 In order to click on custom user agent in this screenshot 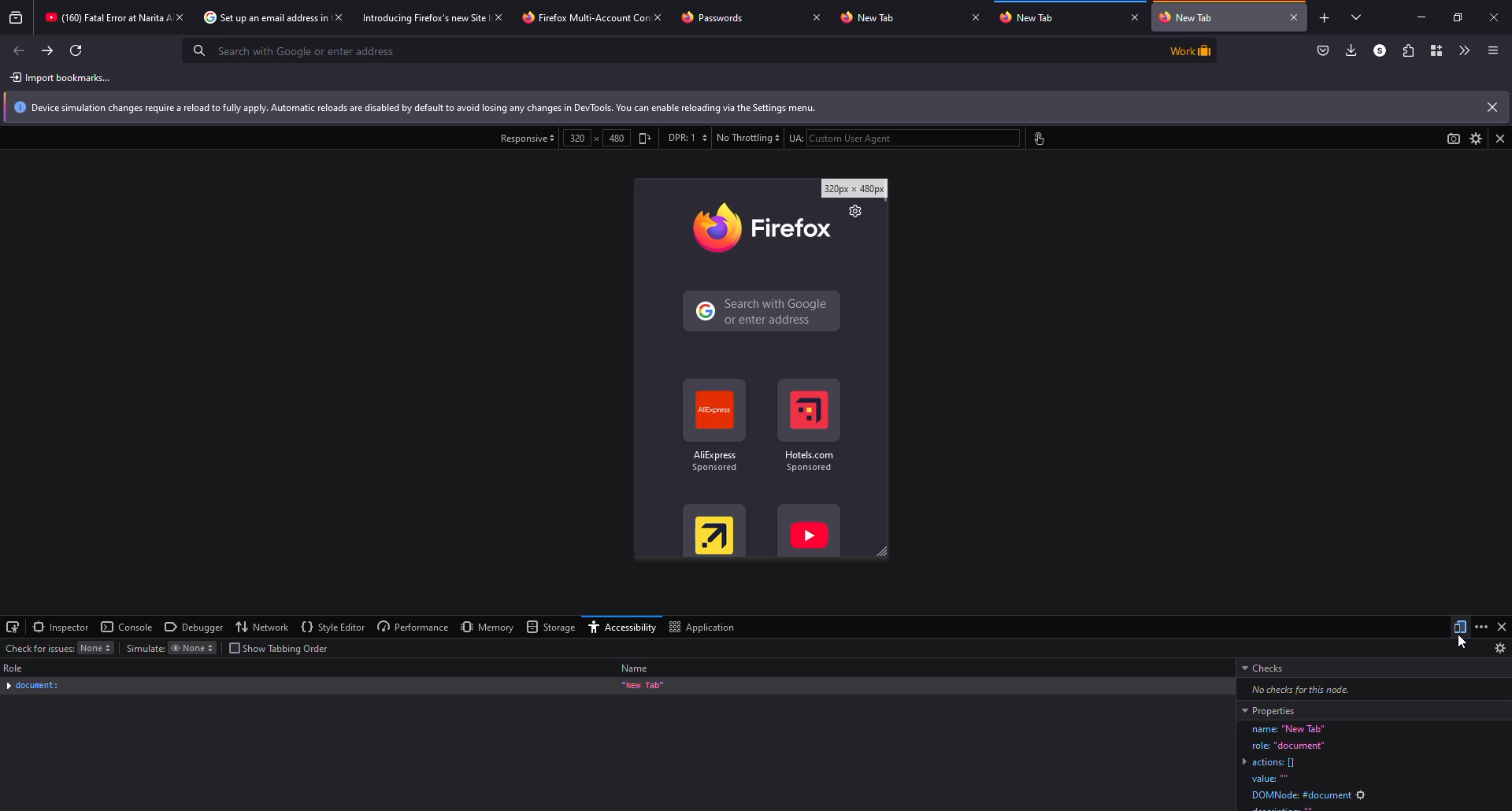, I will do `click(913, 138)`.